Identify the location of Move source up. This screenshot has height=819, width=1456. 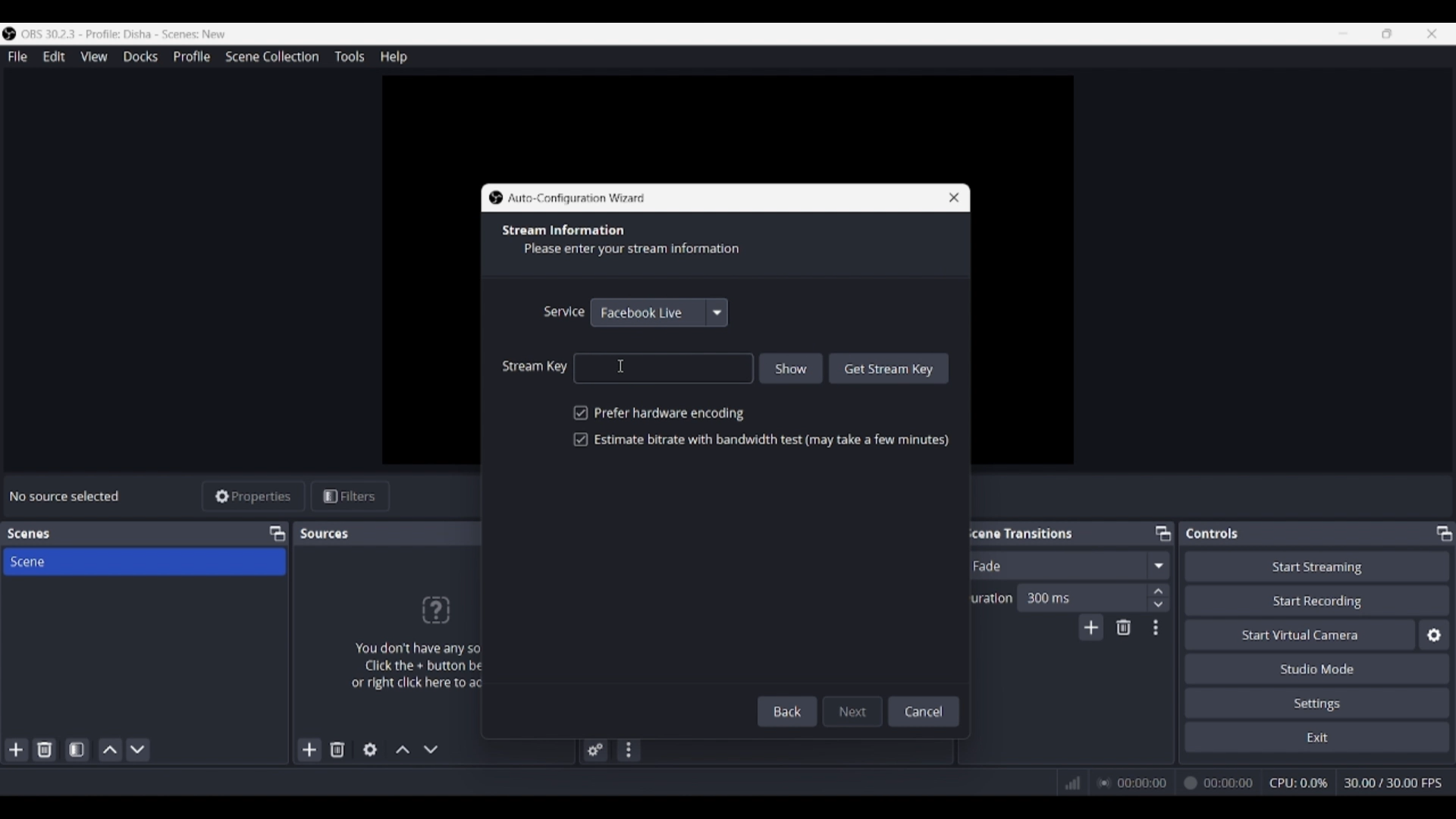
(403, 749).